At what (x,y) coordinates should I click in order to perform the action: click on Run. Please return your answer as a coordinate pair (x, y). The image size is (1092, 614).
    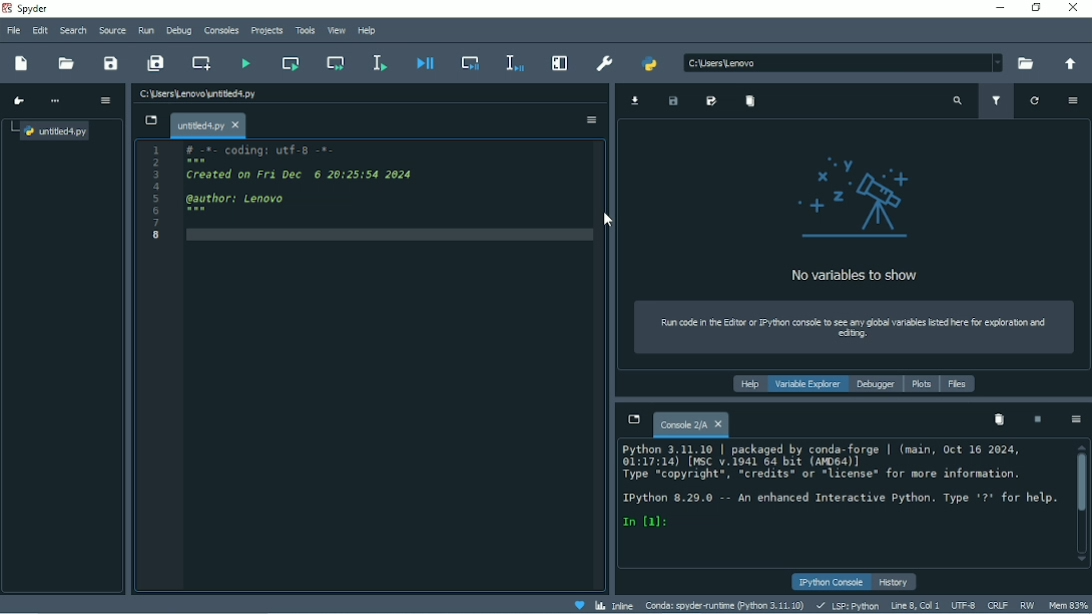
    Looking at the image, I should click on (147, 30).